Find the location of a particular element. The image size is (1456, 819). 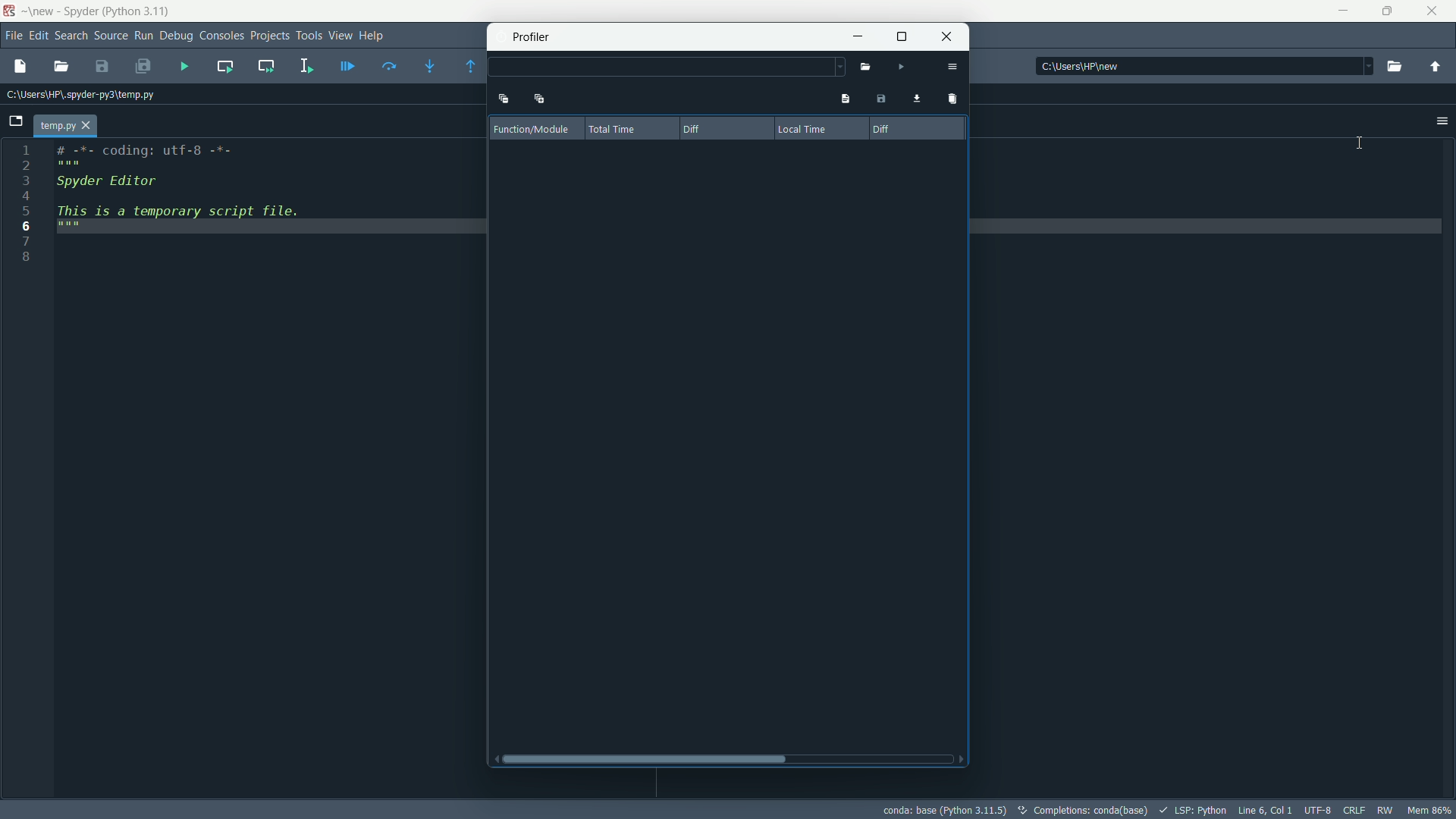

cursor position is located at coordinates (1263, 811).